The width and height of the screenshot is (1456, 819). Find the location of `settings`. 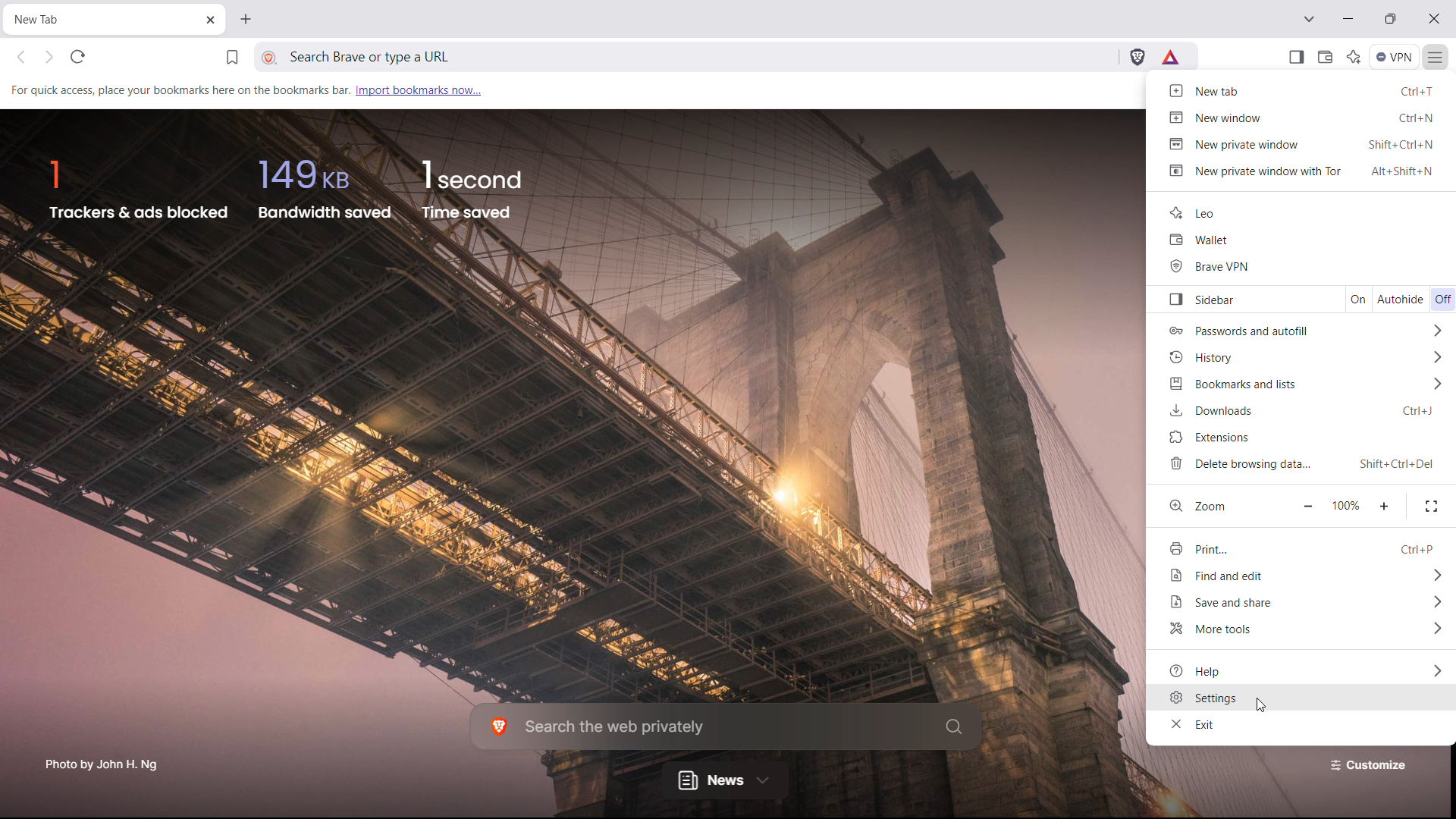

settings is located at coordinates (1300, 698).